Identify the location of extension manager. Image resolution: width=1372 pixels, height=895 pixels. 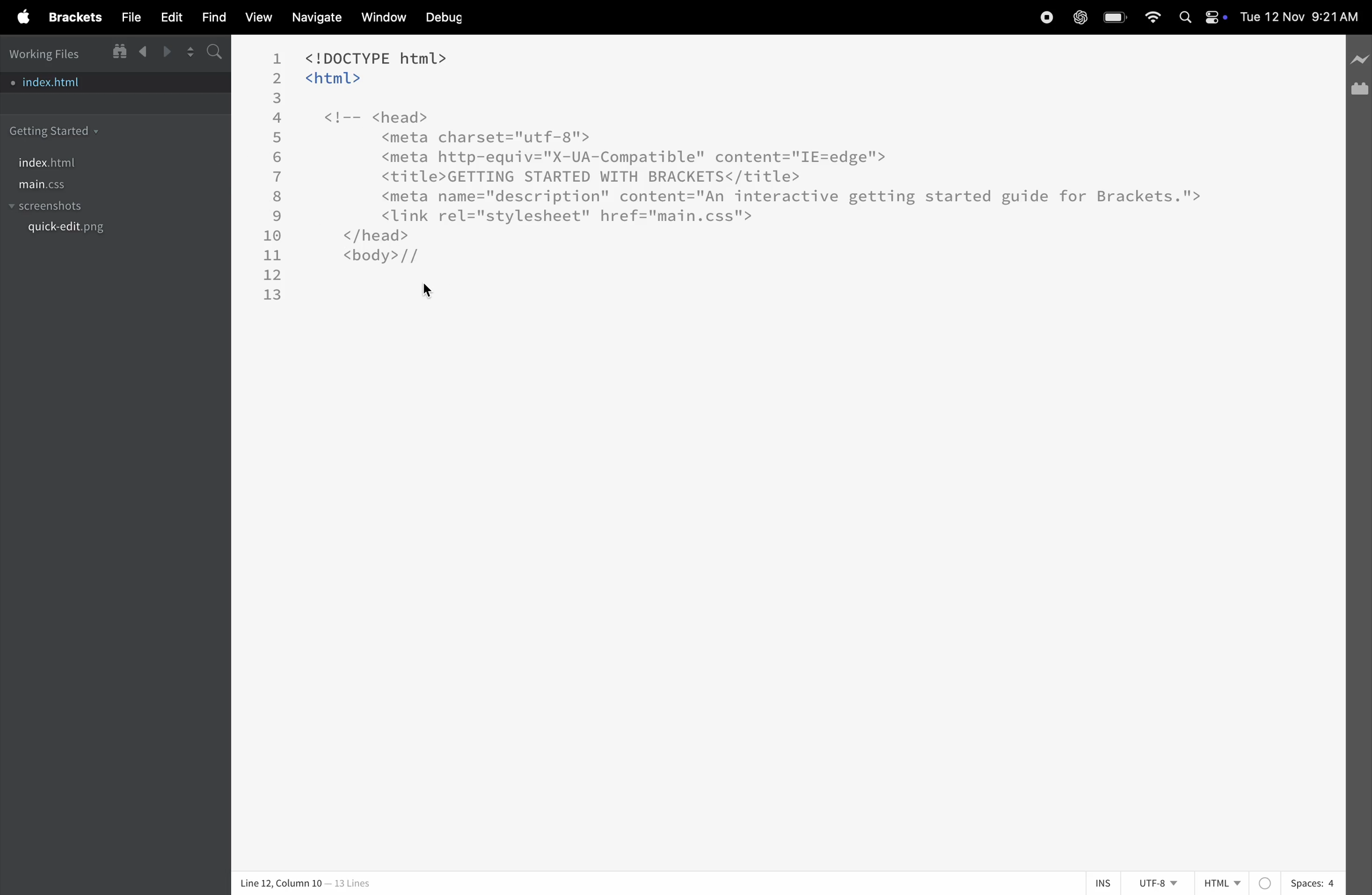
(1359, 90).